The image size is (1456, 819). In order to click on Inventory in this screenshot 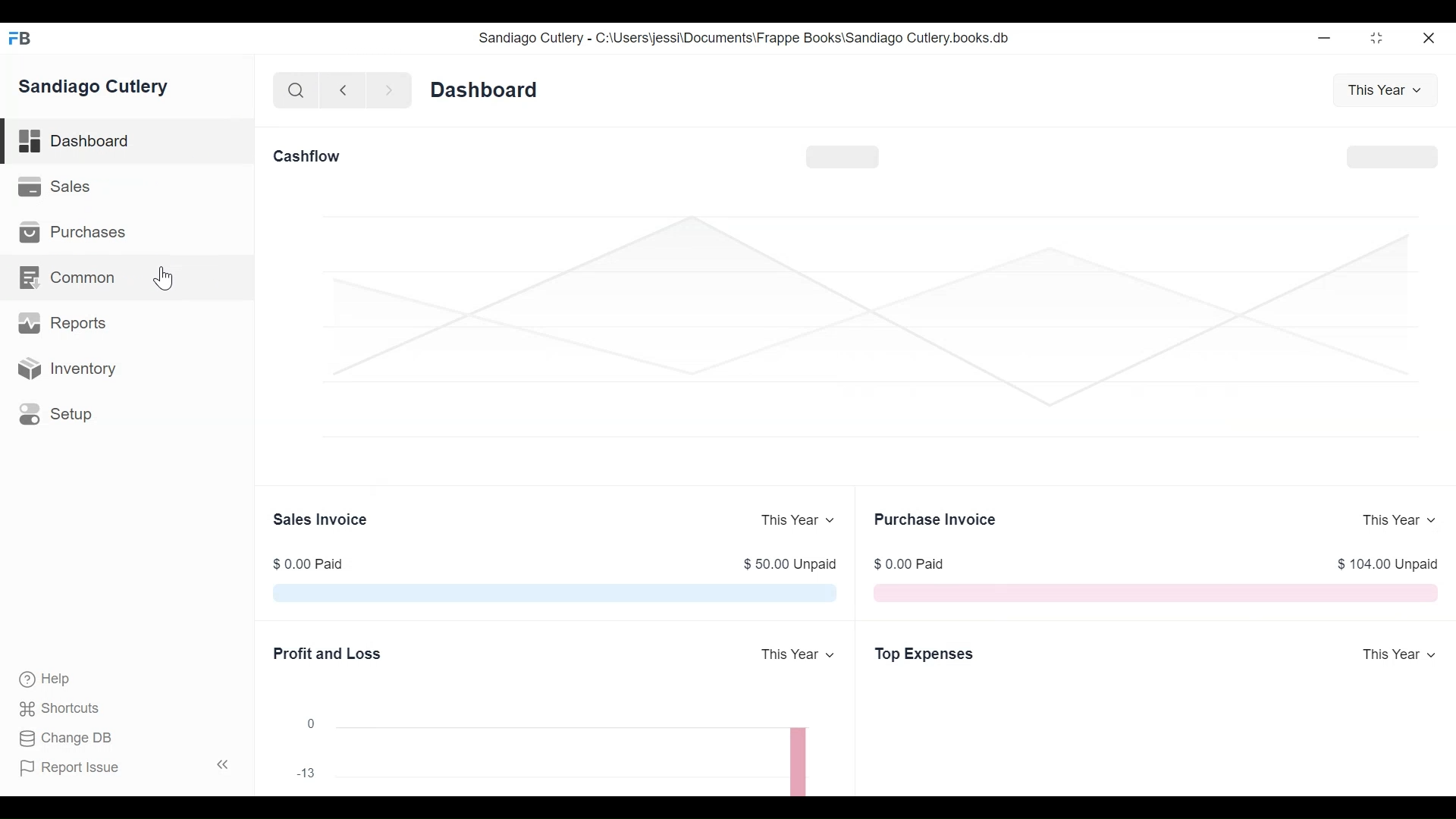, I will do `click(68, 369)`.